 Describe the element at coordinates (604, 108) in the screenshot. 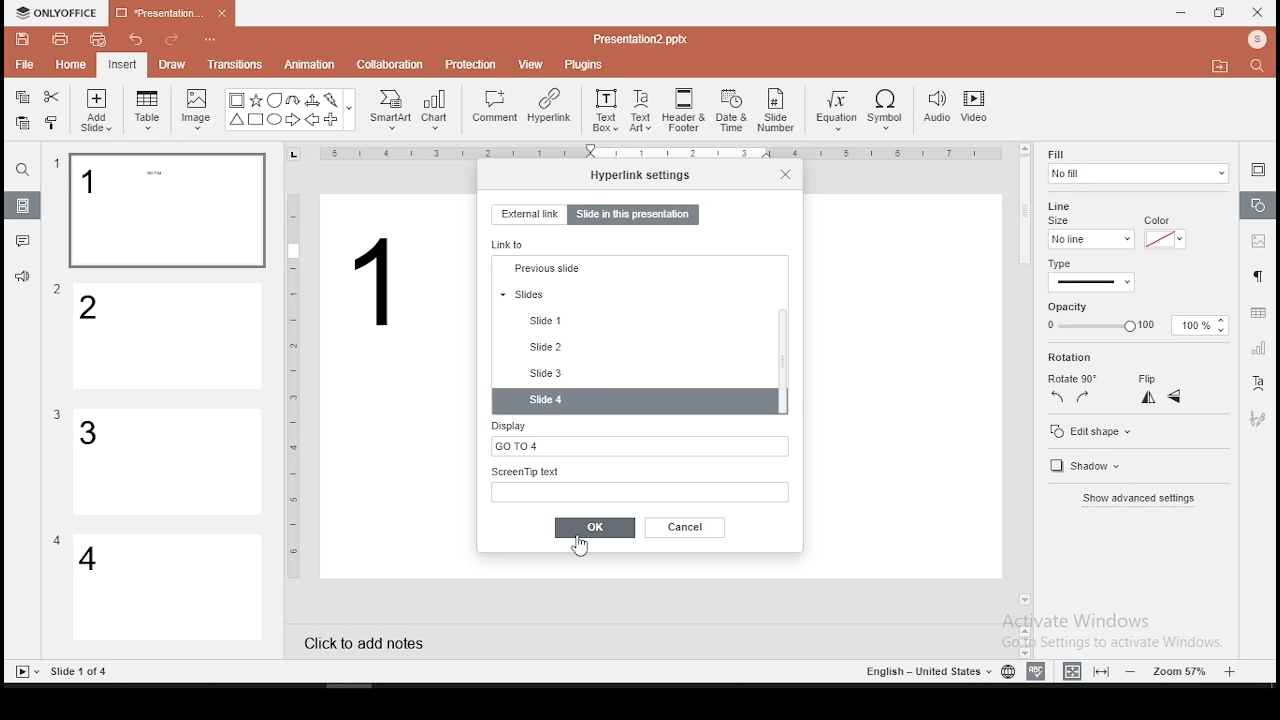

I see `text box` at that location.